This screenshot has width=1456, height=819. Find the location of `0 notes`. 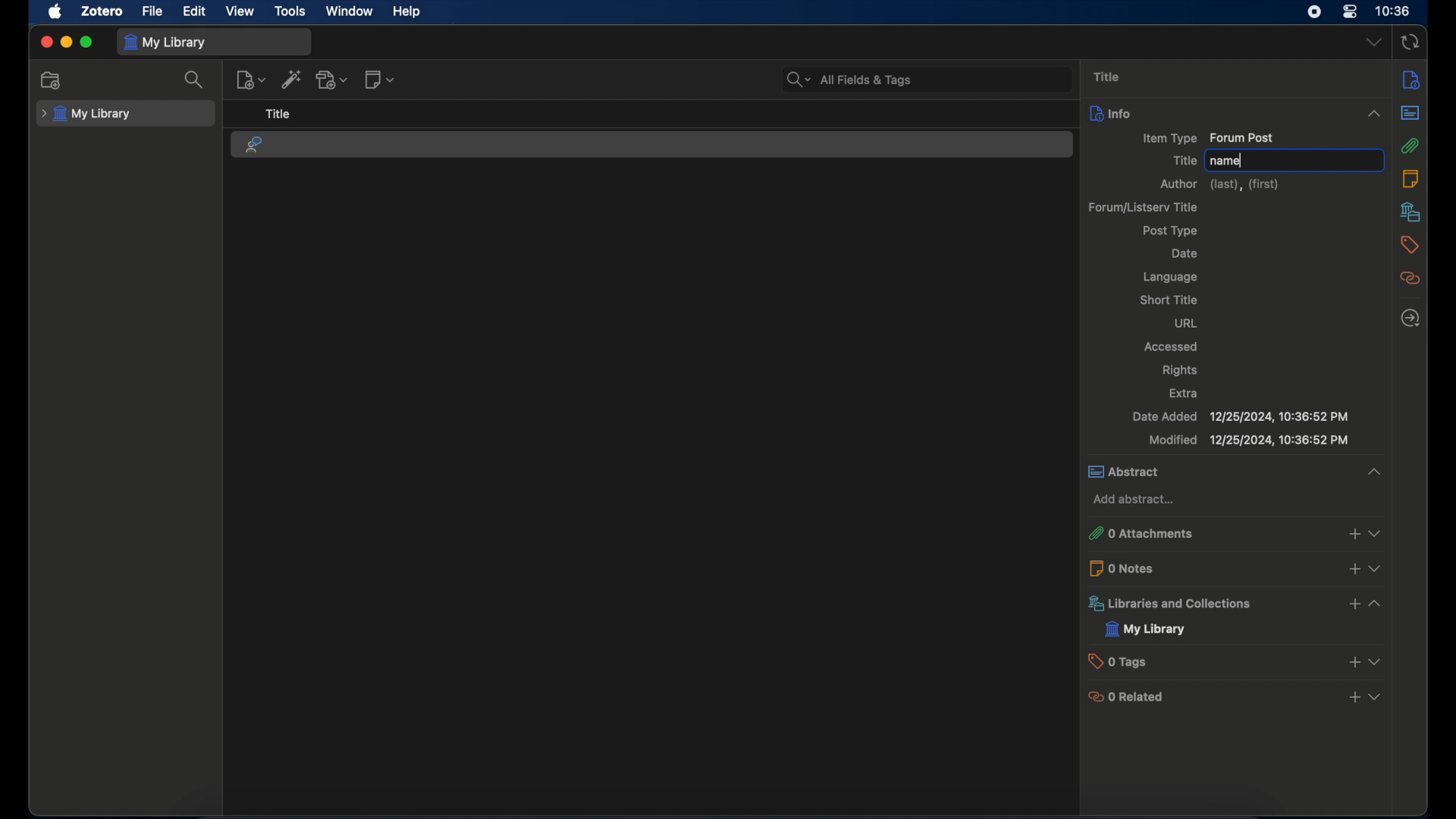

0 notes is located at coordinates (1235, 567).